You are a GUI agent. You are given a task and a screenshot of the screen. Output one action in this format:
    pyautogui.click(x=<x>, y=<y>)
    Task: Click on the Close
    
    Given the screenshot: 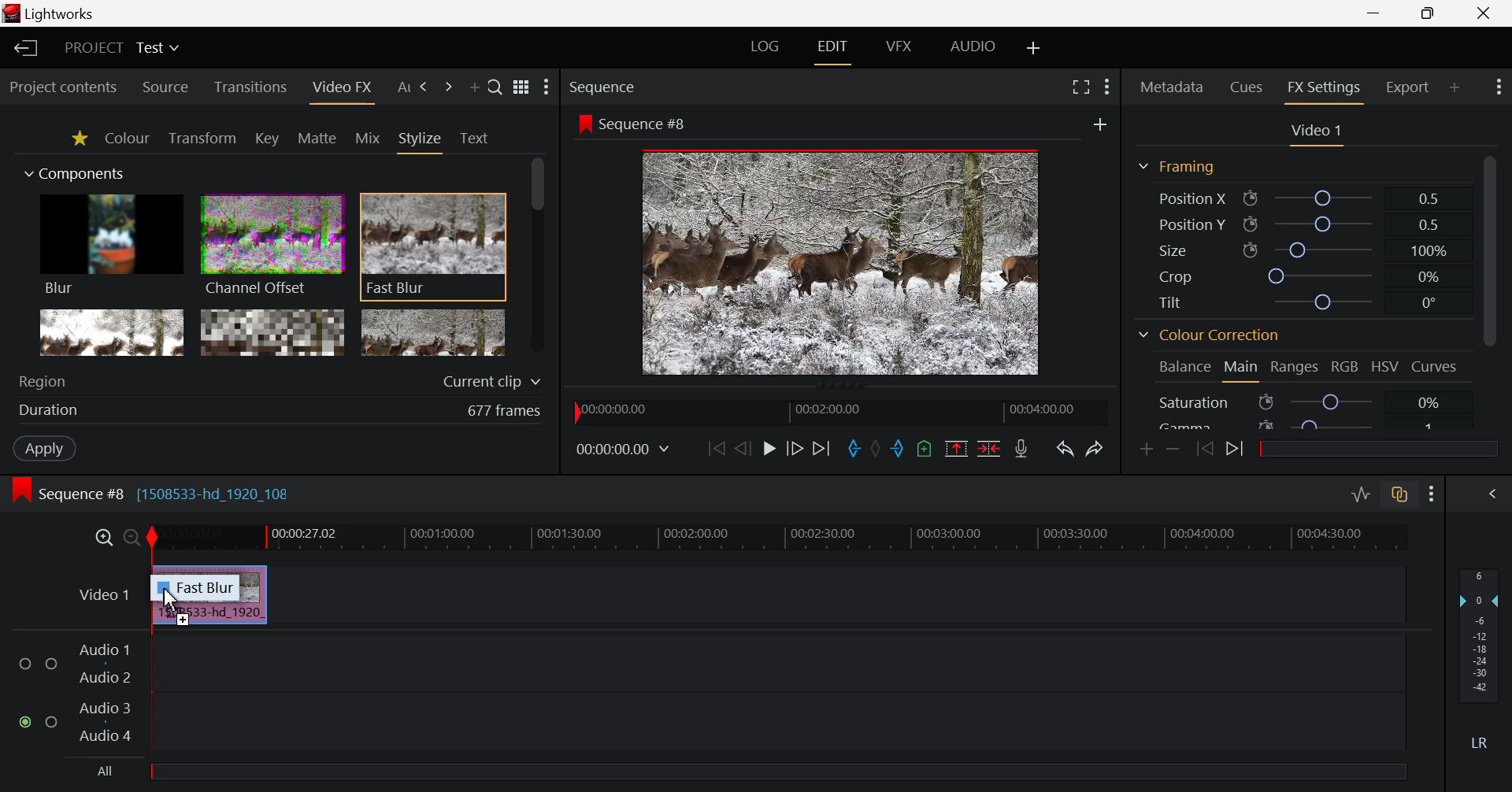 What is the action you would take?
    pyautogui.click(x=1483, y=13)
    